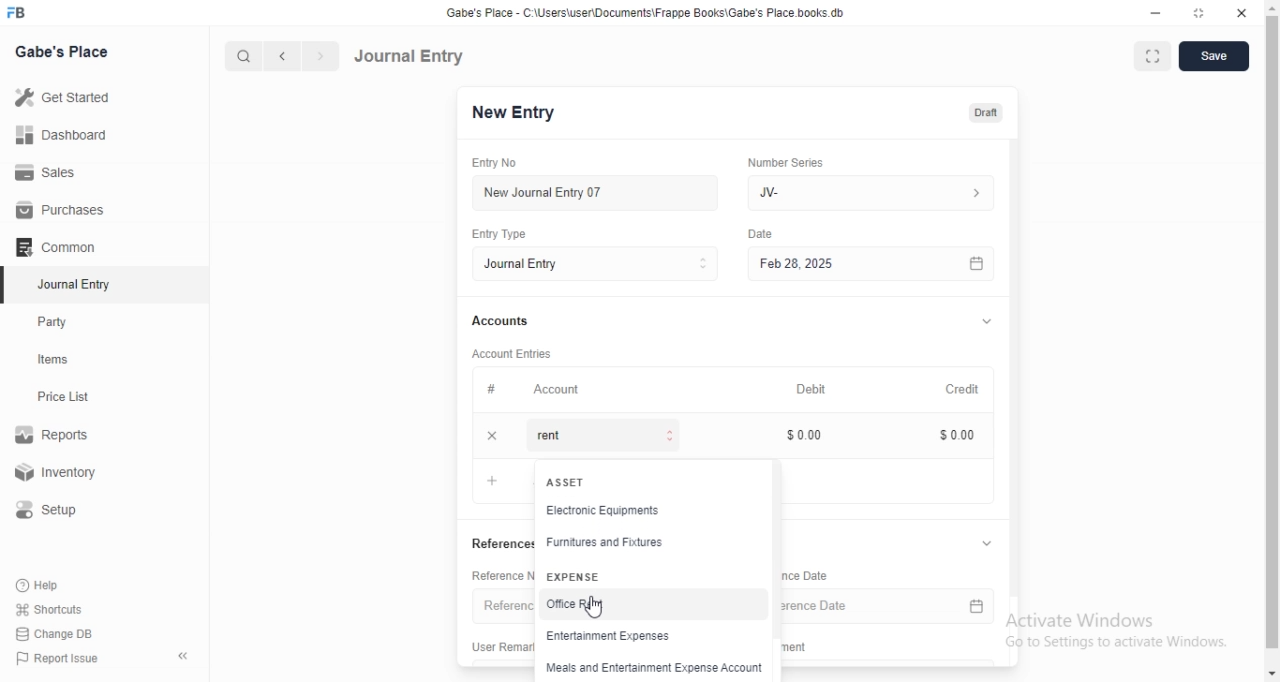 This screenshot has width=1280, height=682. What do you see at coordinates (61, 210) in the screenshot?
I see `Purchases` at bounding box center [61, 210].